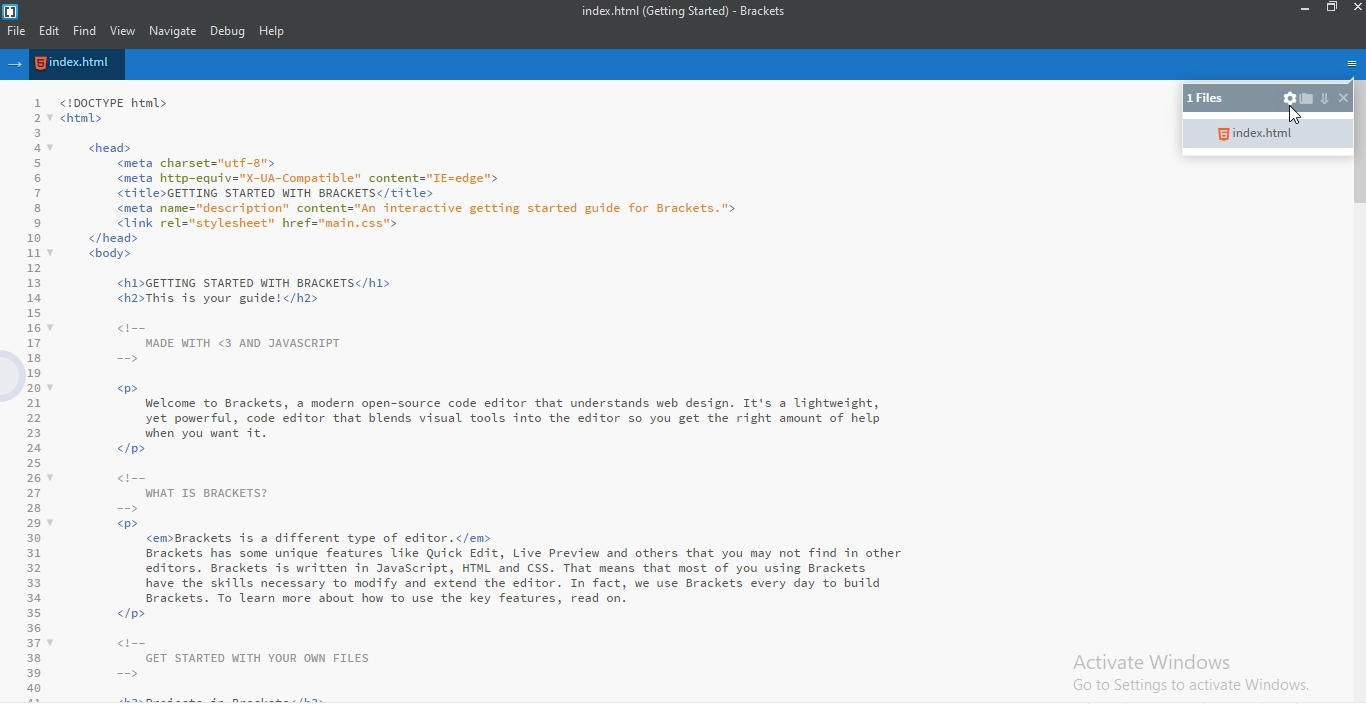 This screenshot has height=704, width=1366. I want to click on help, so click(273, 32).